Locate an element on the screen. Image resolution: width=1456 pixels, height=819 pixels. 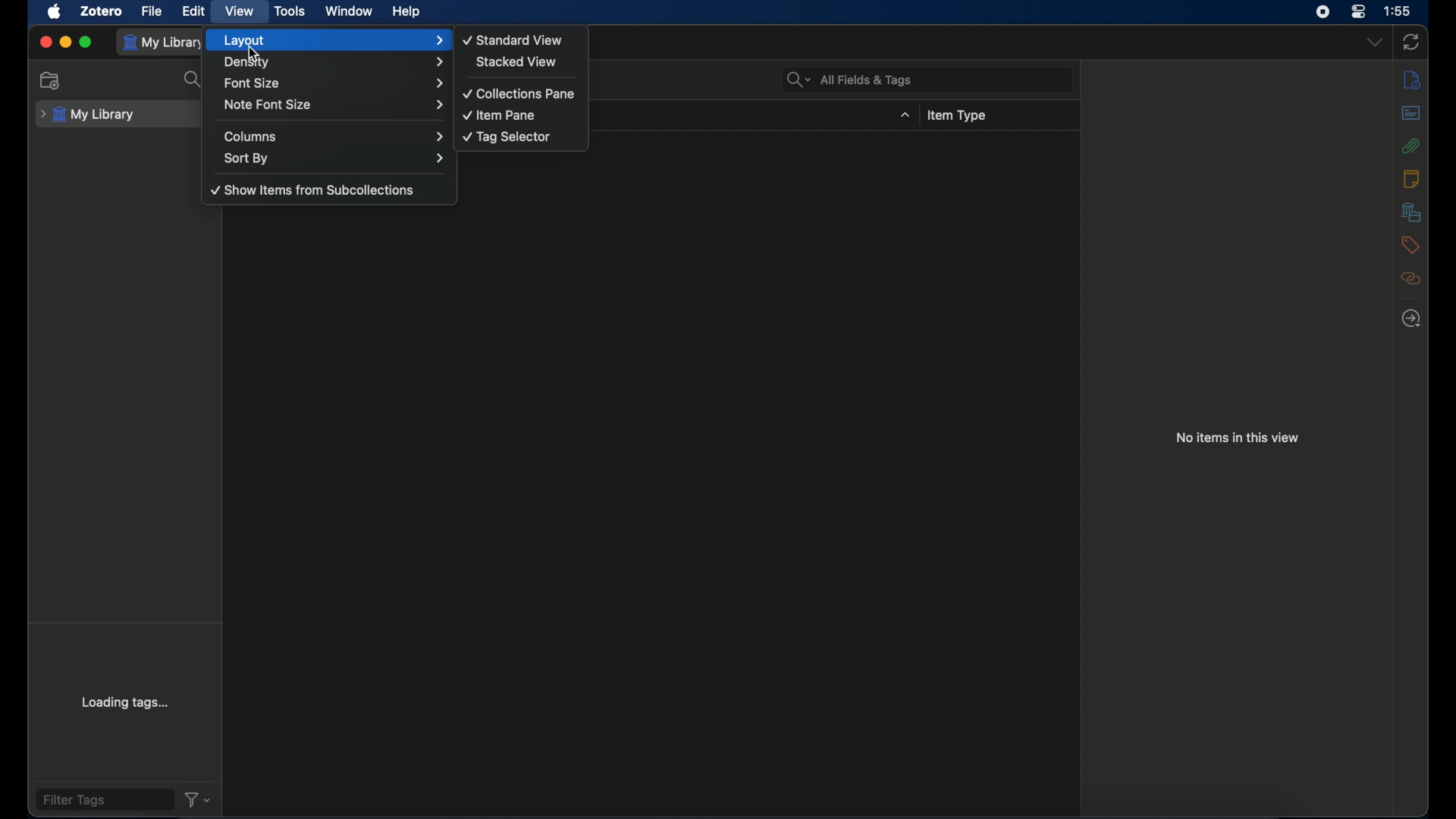
view is located at coordinates (240, 12).